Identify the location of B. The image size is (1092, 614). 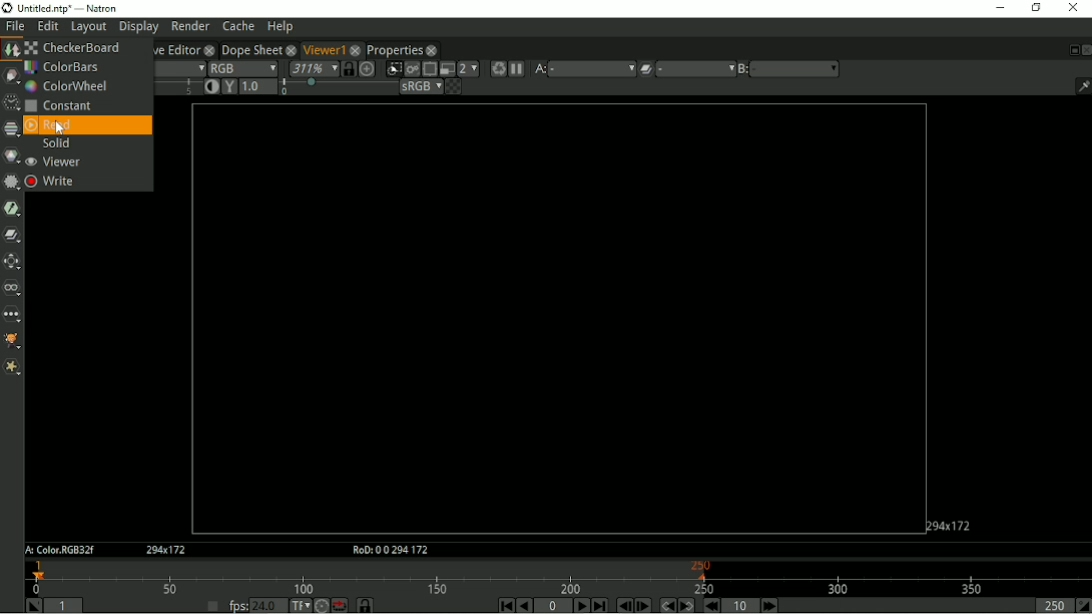
(742, 69).